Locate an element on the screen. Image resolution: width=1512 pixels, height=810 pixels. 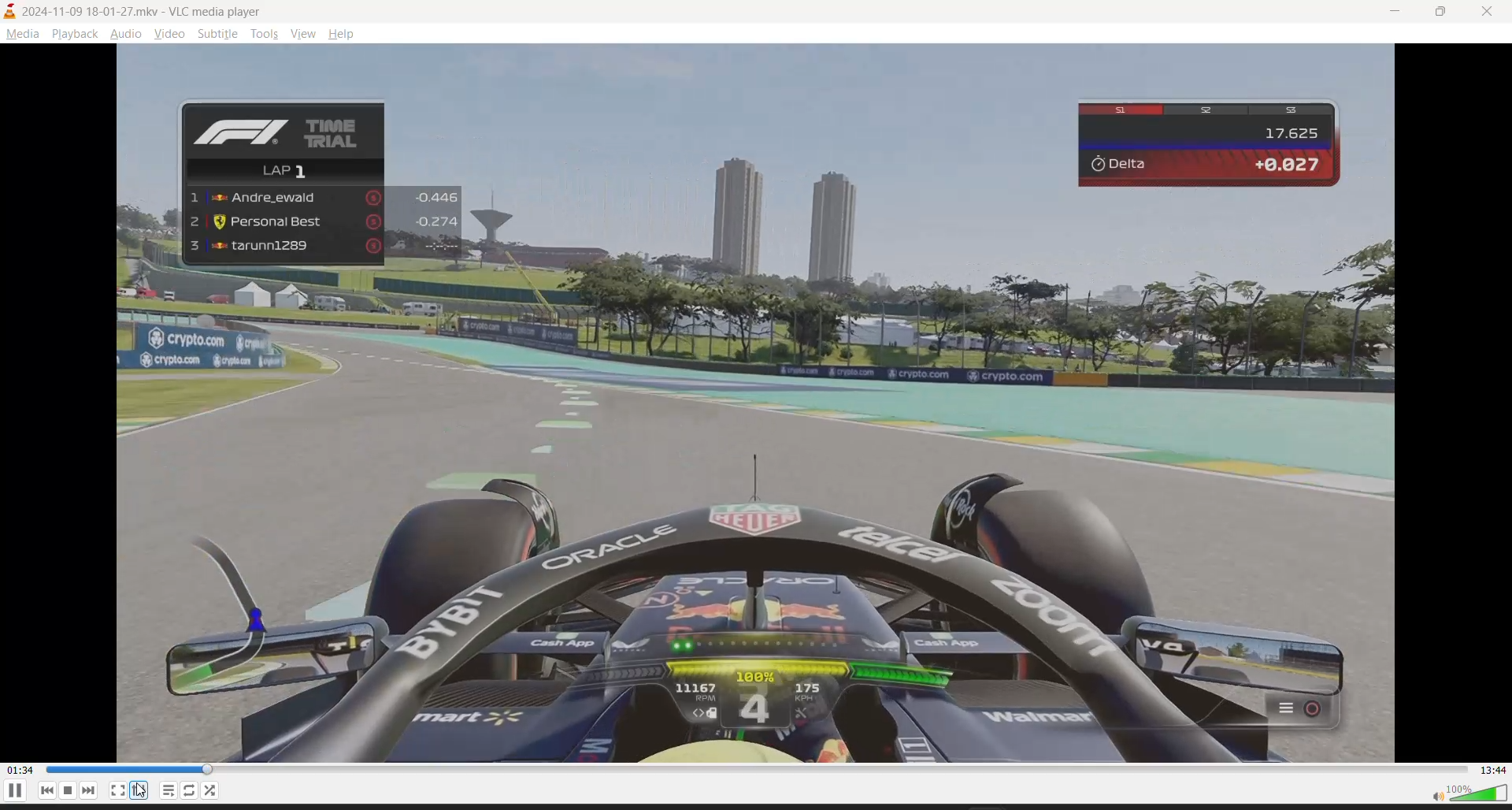
volume is located at coordinates (1464, 795).